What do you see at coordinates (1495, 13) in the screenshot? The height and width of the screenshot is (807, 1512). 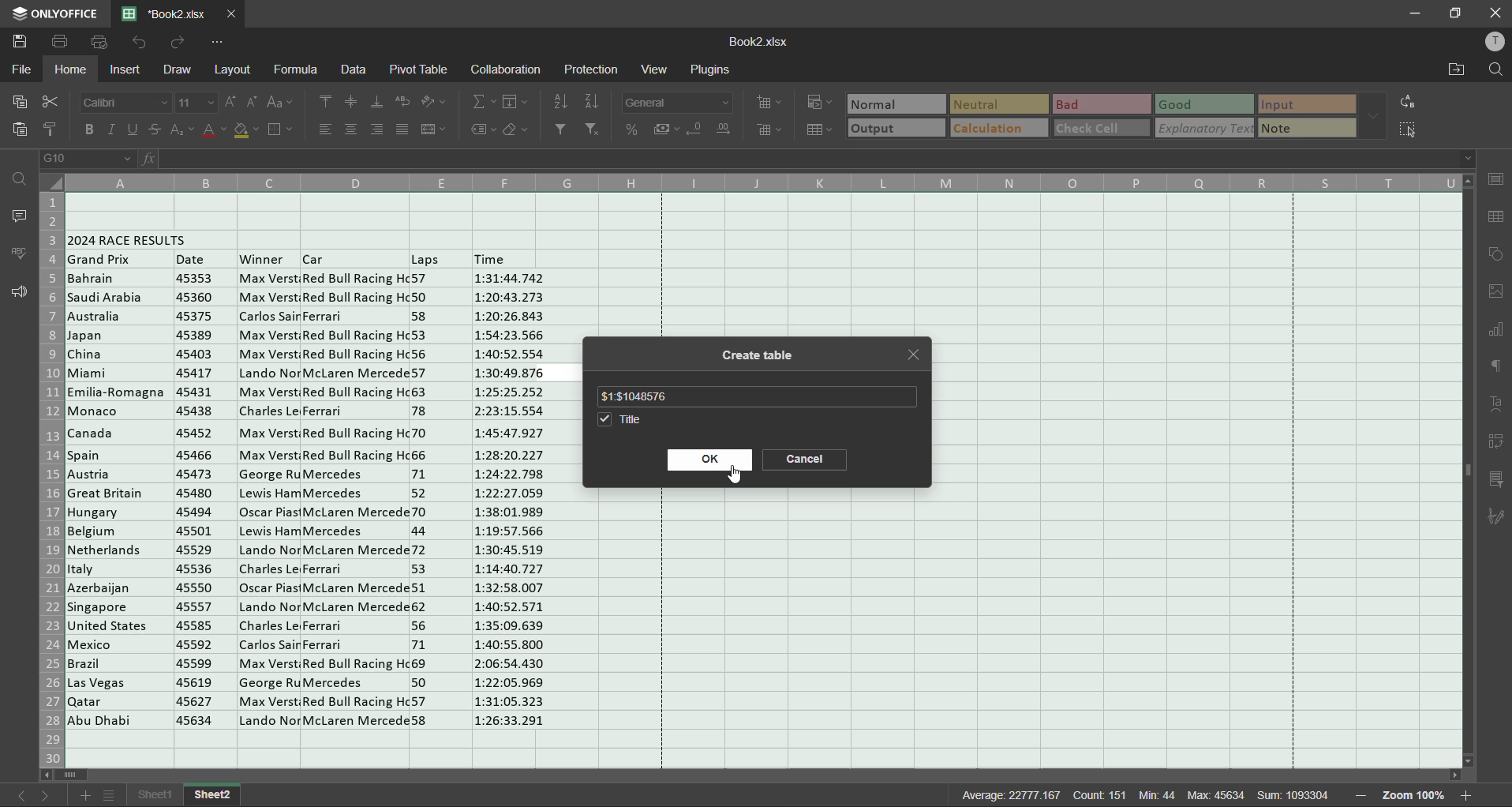 I see `close` at bounding box center [1495, 13].